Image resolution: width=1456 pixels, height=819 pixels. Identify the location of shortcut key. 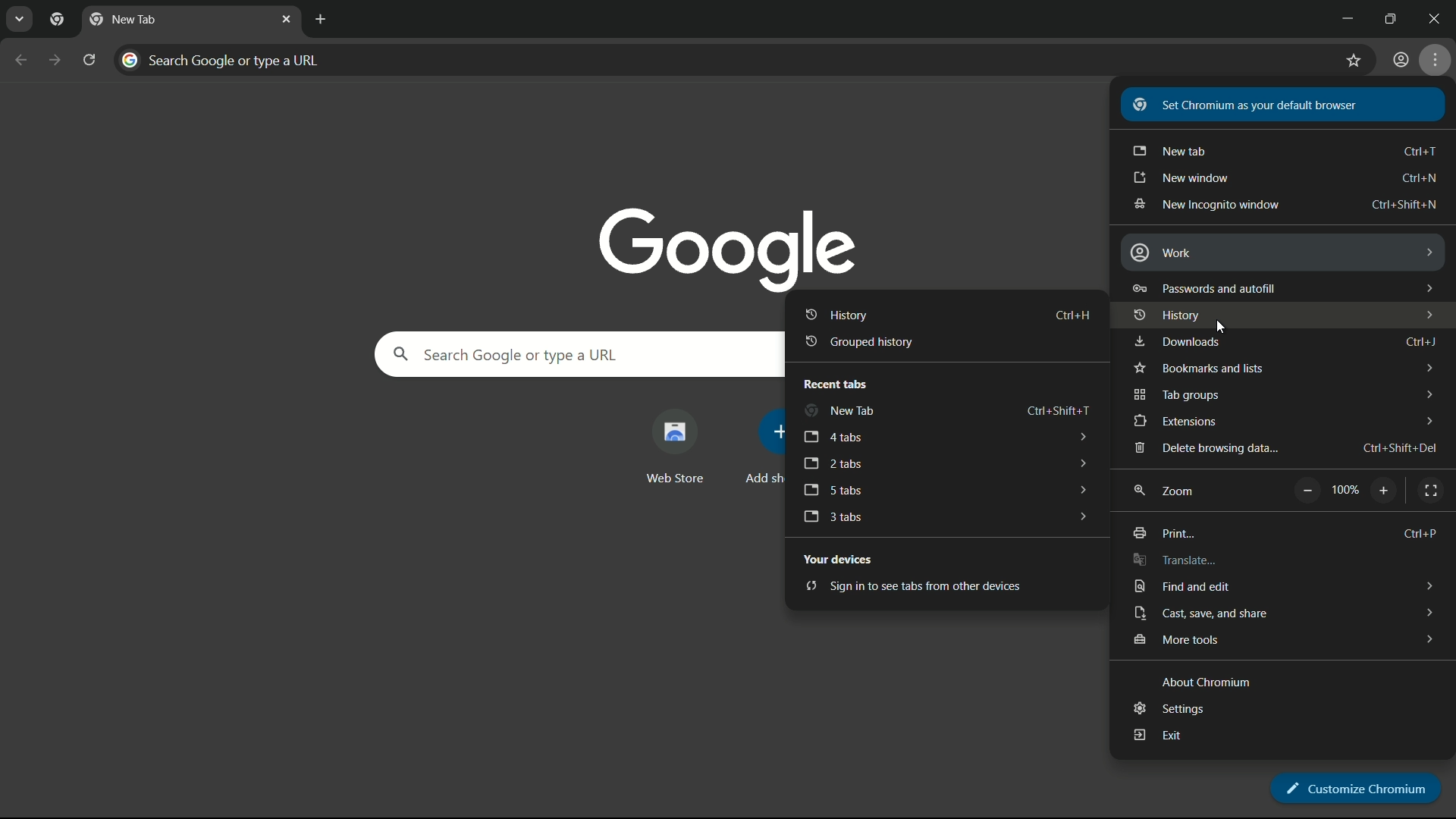
(1056, 411).